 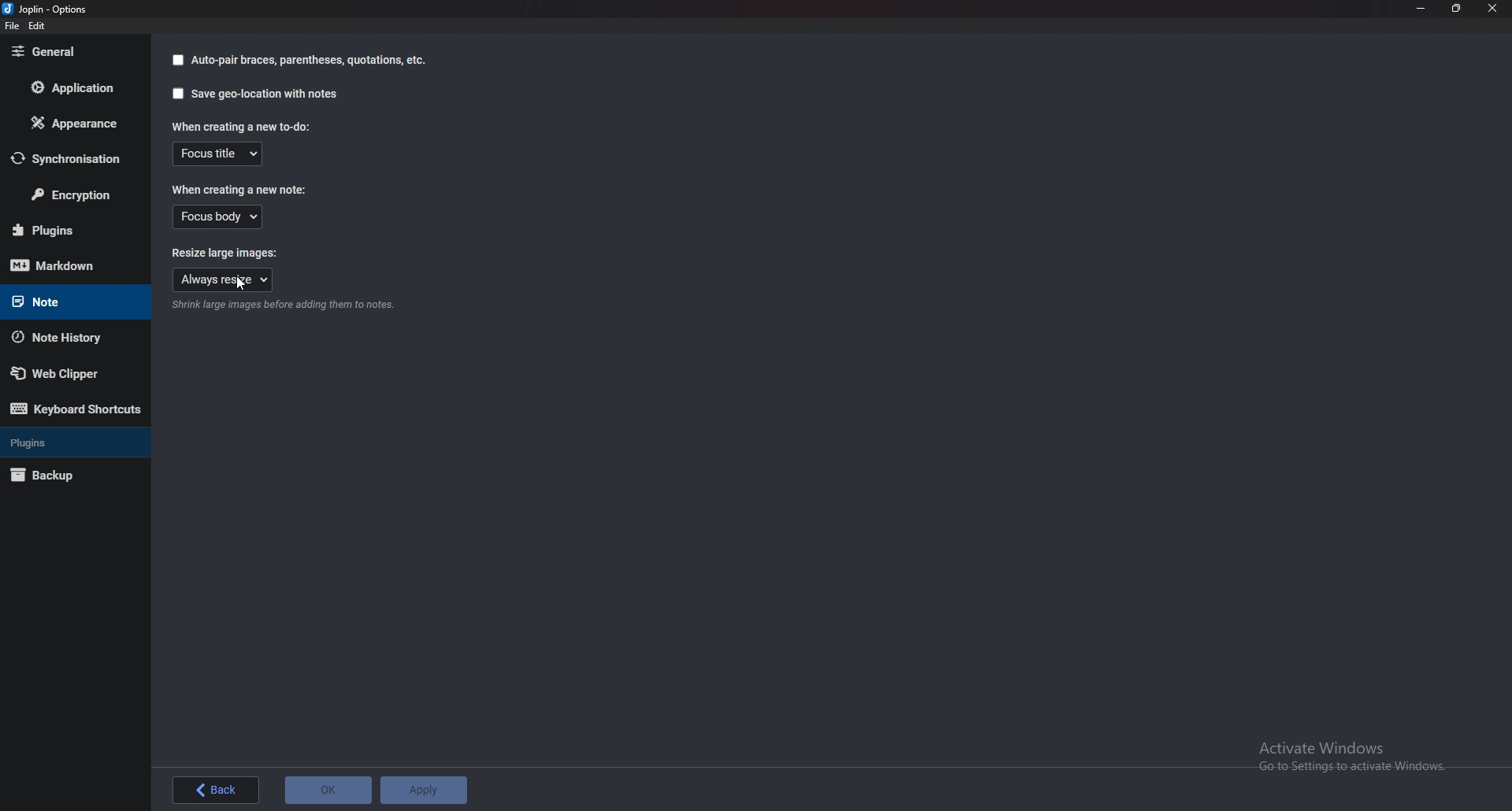 I want to click on Appearance, so click(x=75, y=122).